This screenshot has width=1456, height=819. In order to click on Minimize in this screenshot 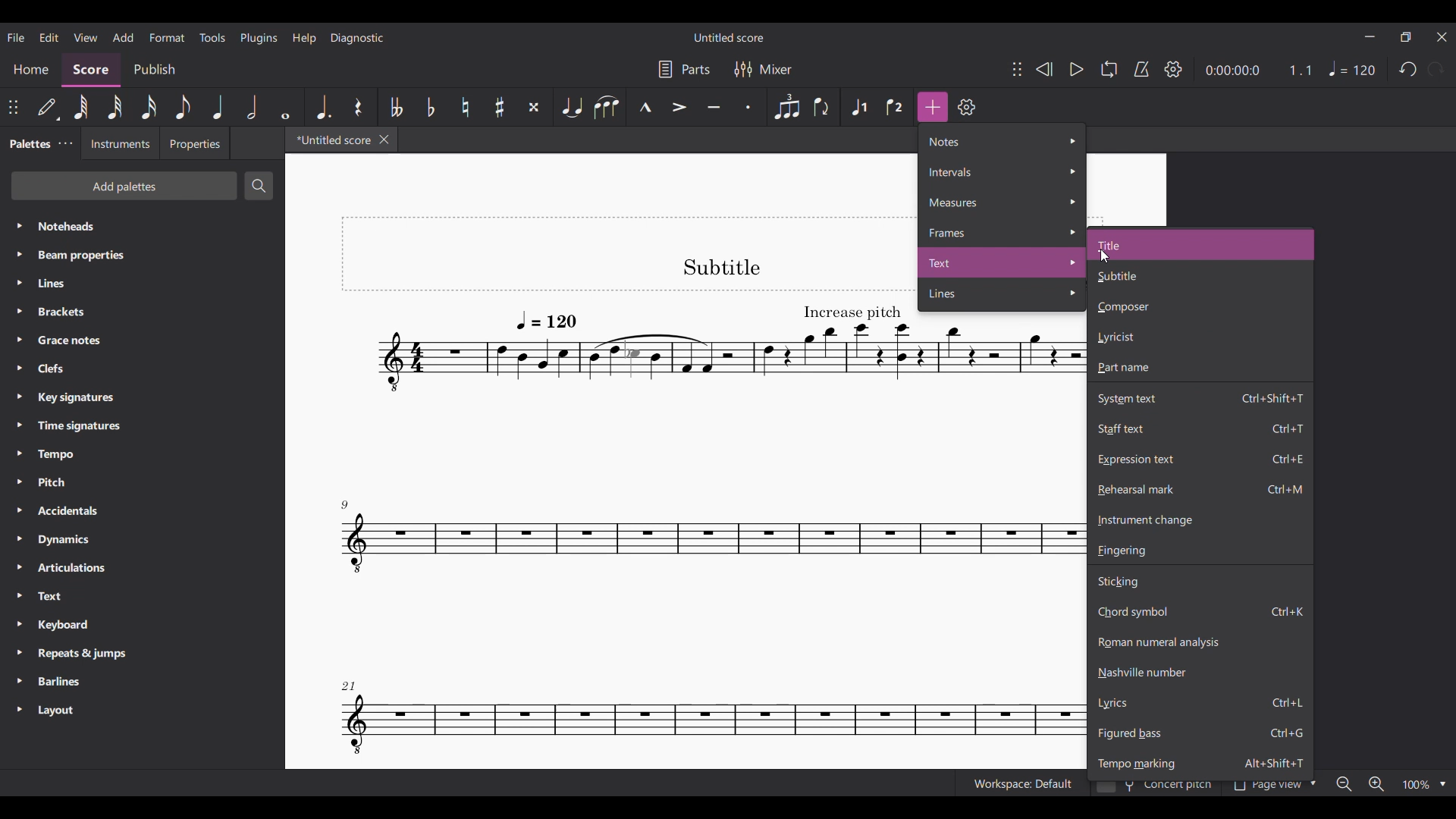, I will do `click(1370, 36)`.